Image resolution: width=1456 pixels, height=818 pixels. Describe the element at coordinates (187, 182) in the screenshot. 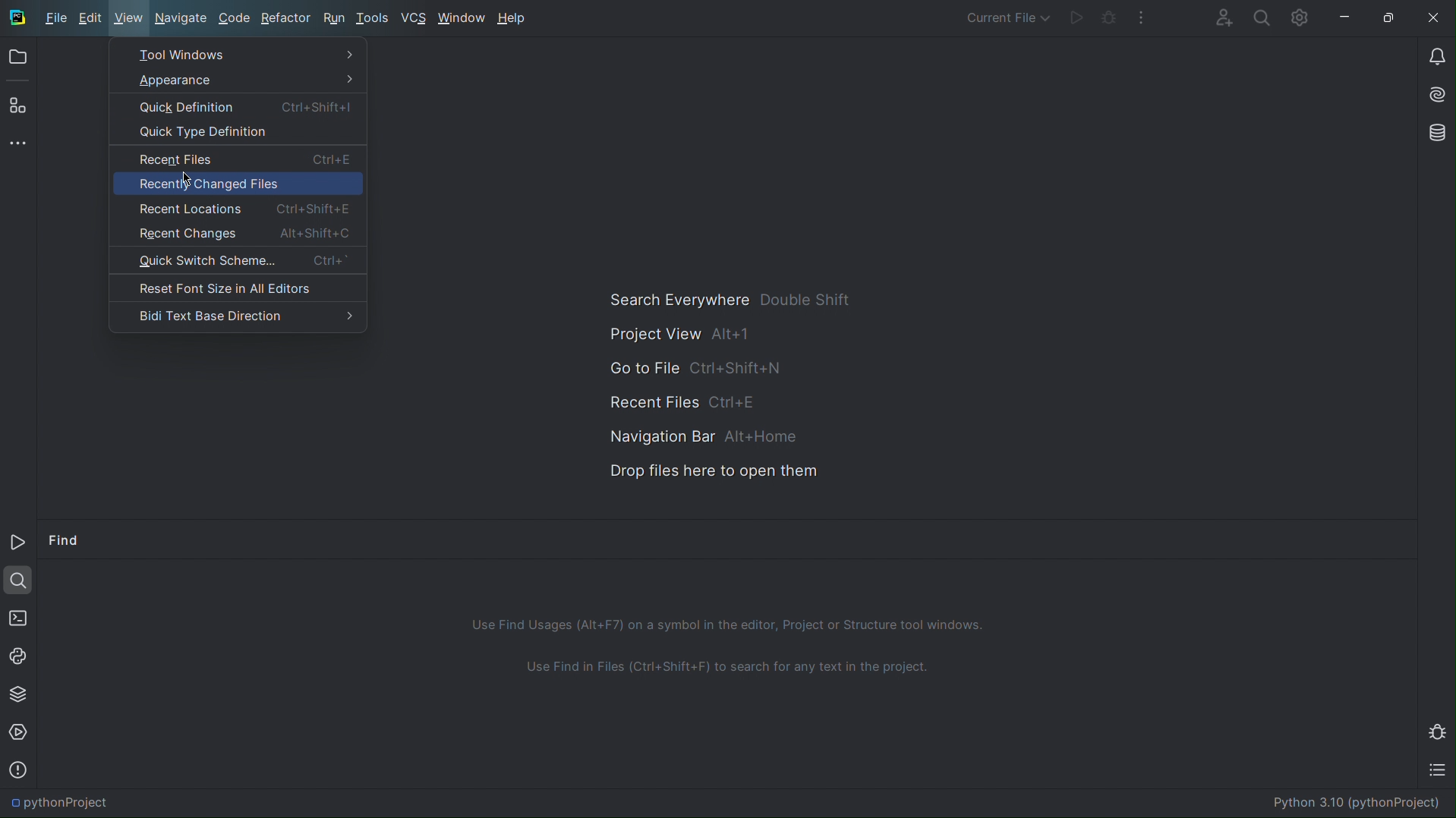

I see `cursor` at that location.